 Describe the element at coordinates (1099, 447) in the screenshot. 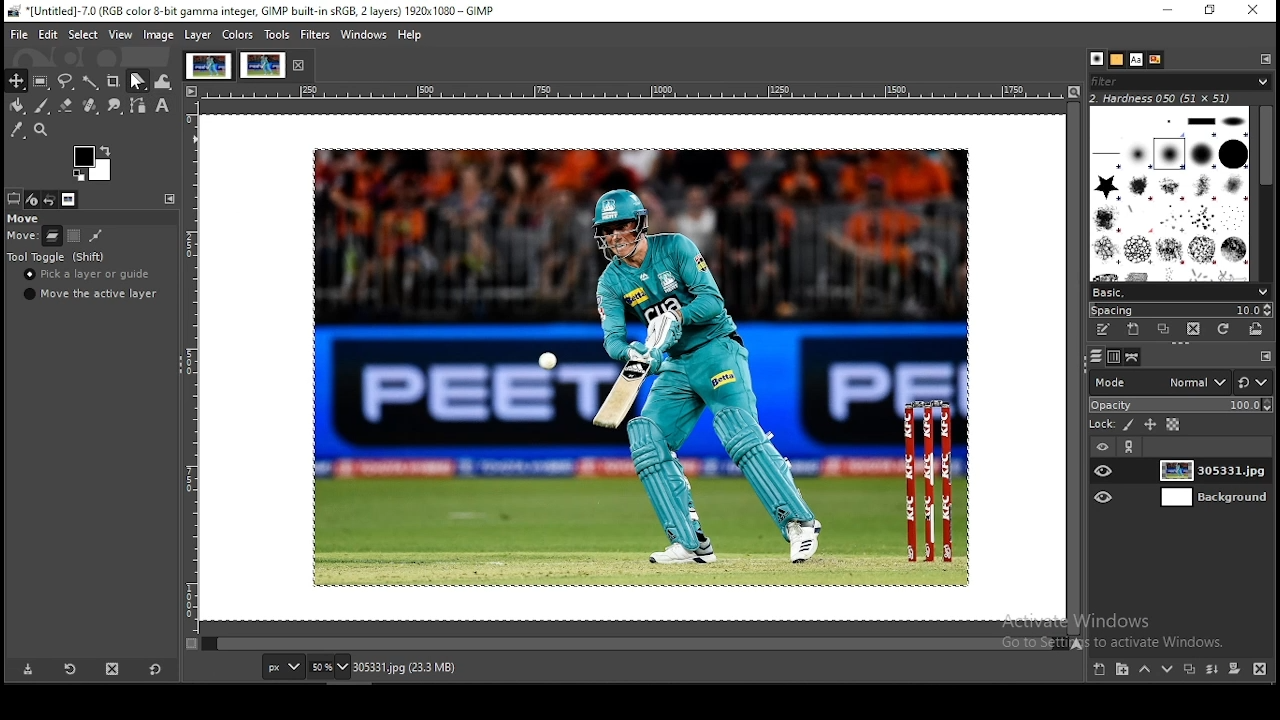

I see `layer visibility` at that location.